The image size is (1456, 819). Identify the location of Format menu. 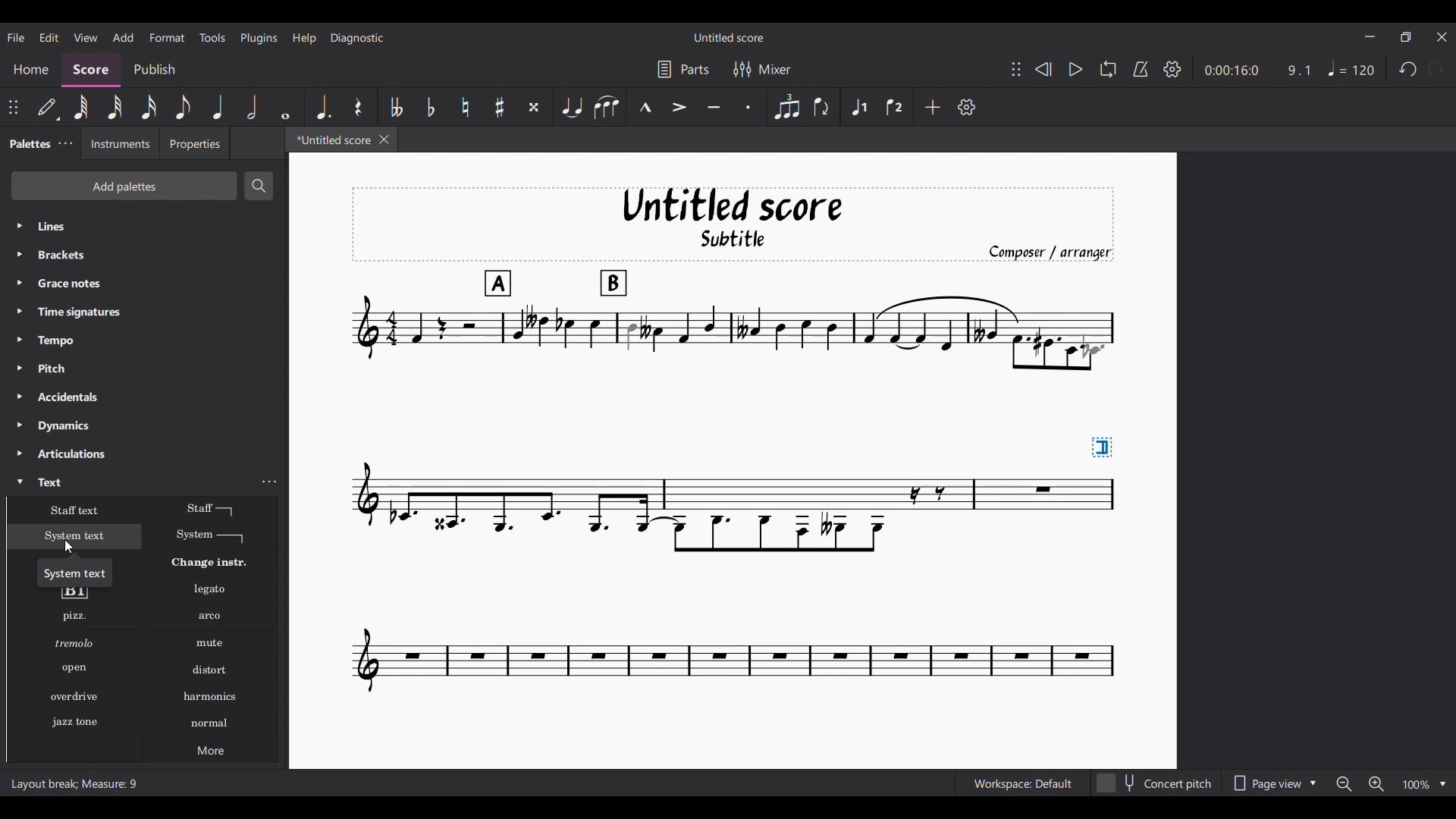
(168, 37).